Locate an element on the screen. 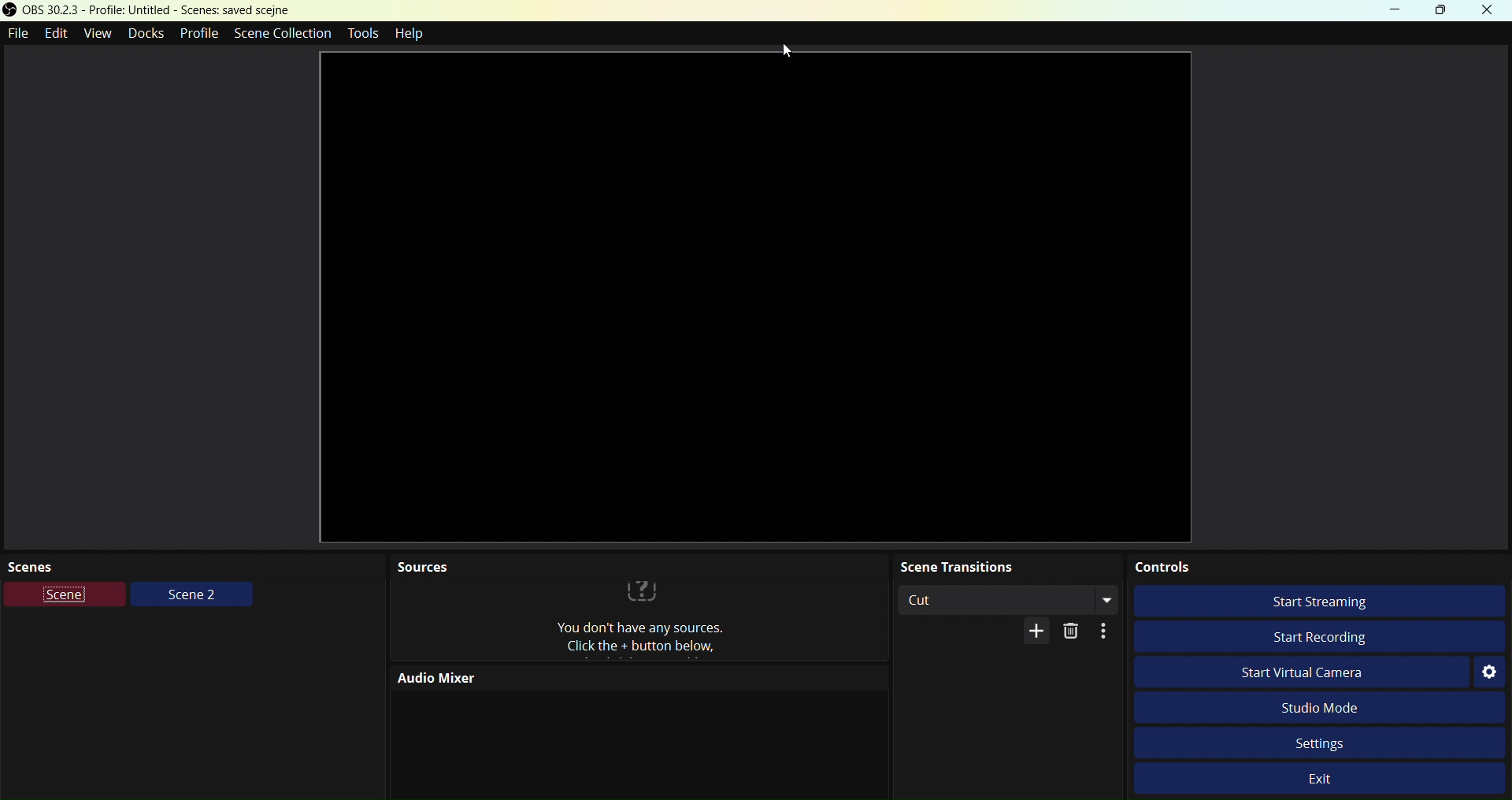 The width and height of the screenshot is (1512, 800). Exit is located at coordinates (1321, 778).